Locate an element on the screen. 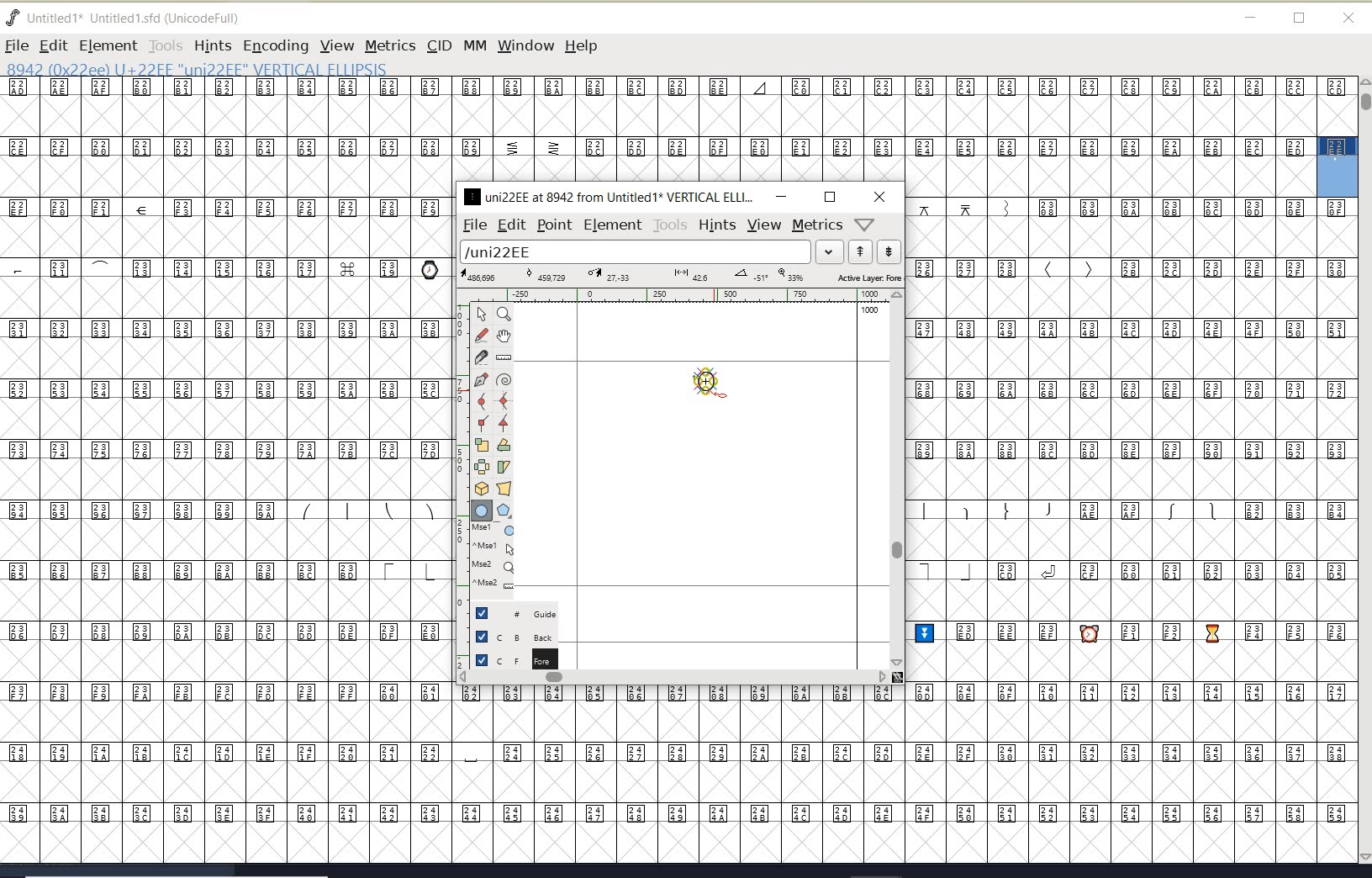 Image resolution: width=1372 pixels, height=878 pixels. active layer is located at coordinates (682, 278).